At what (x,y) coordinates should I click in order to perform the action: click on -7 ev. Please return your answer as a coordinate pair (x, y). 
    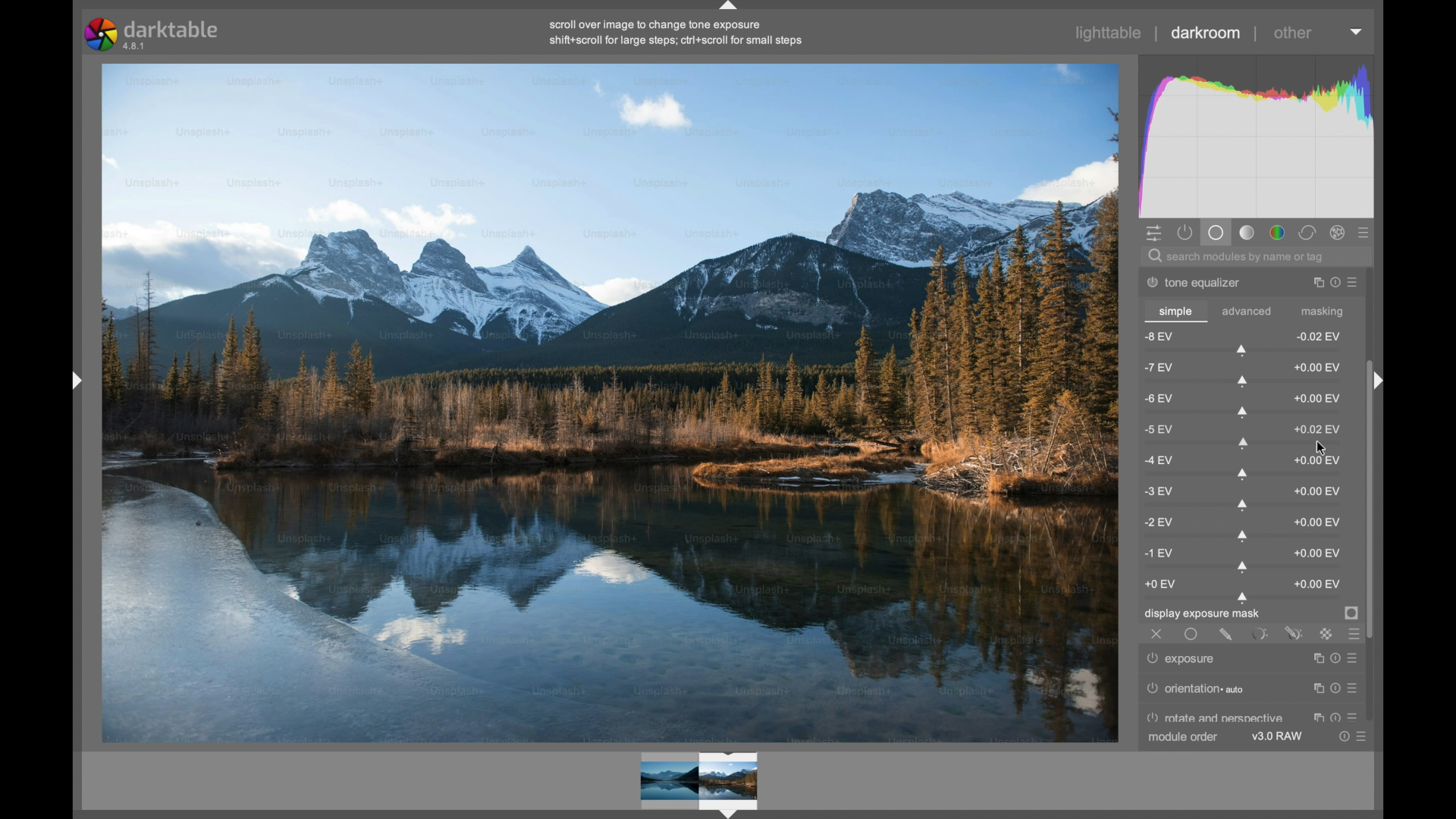
    Looking at the image, I should click on (1159, 367).